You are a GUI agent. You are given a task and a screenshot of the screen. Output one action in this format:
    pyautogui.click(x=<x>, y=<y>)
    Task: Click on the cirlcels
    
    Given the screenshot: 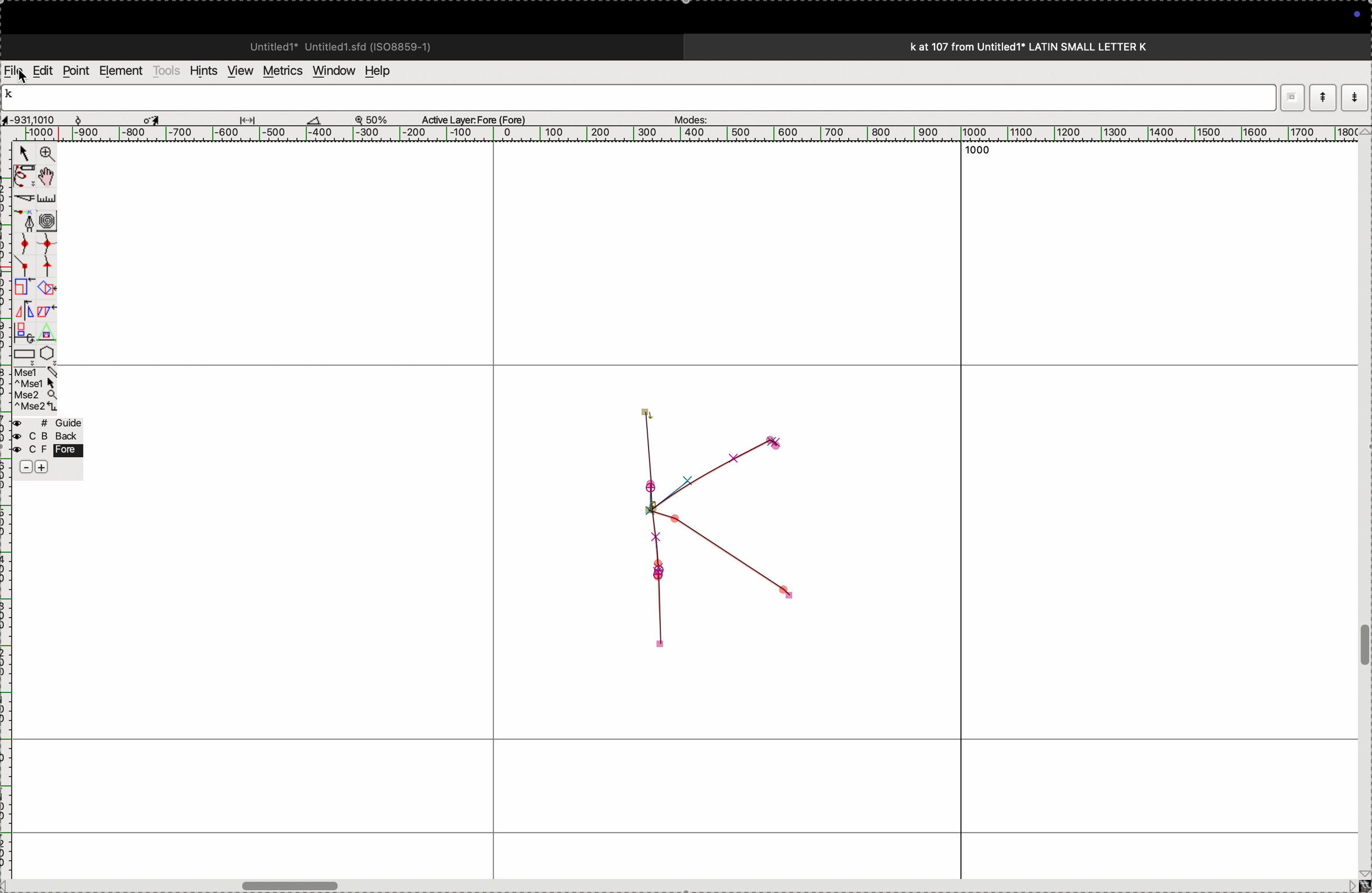 What is the action you would take?
    pyautogui.click(x=58, y=219)
    